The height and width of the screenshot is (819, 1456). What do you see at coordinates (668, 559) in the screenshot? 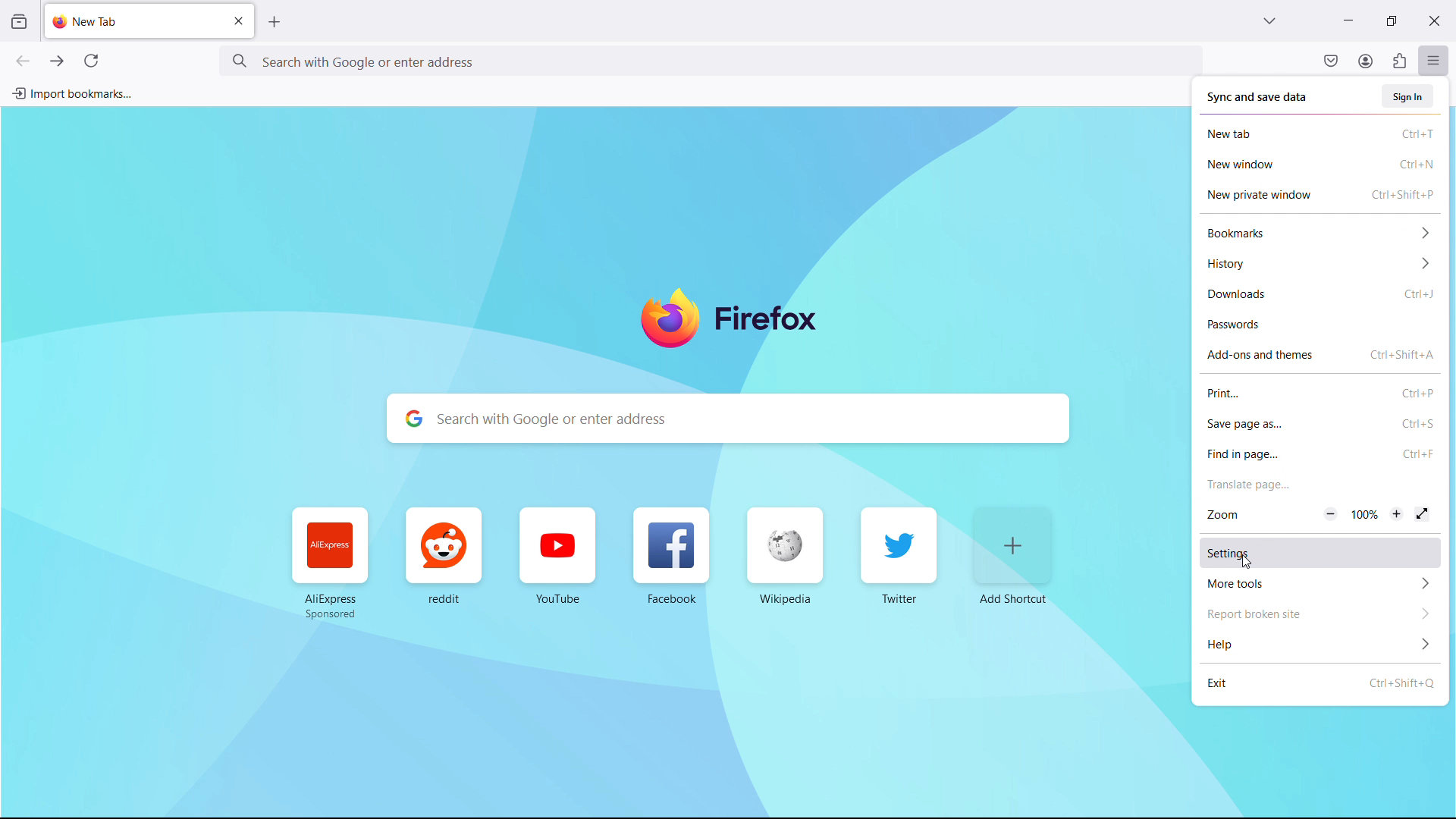
I see `Facebook` at bounding box center [668, 559].